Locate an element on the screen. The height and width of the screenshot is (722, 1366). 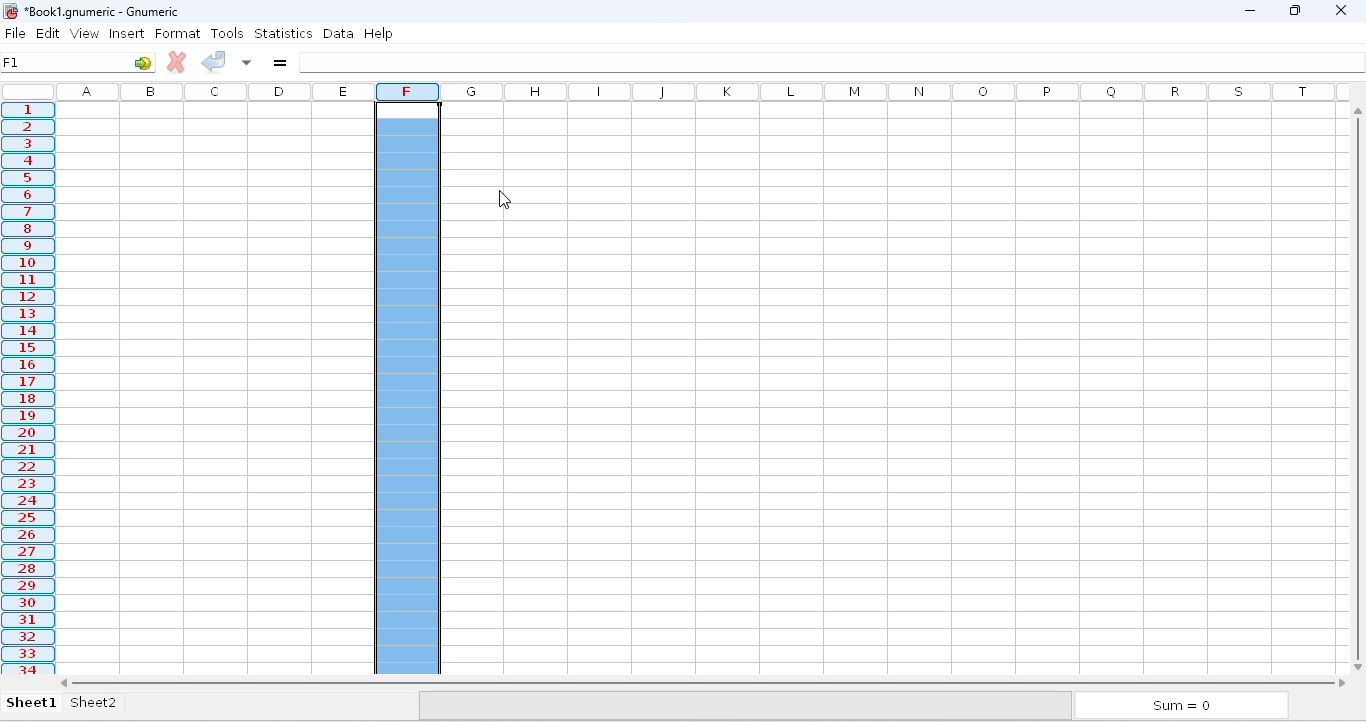
logo is located at coordinates (10, 11).